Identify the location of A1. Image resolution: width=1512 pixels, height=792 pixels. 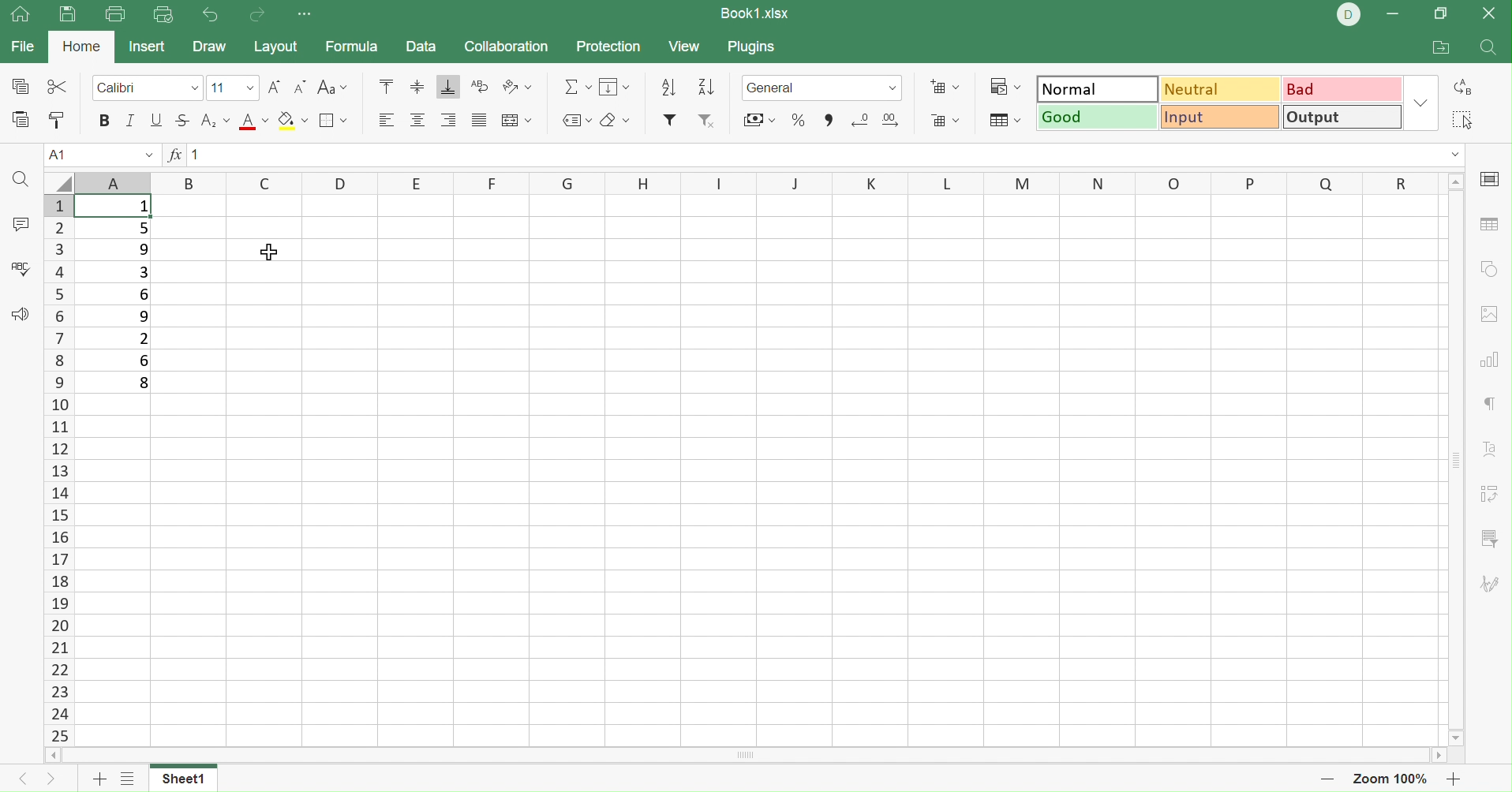
(60, 156).